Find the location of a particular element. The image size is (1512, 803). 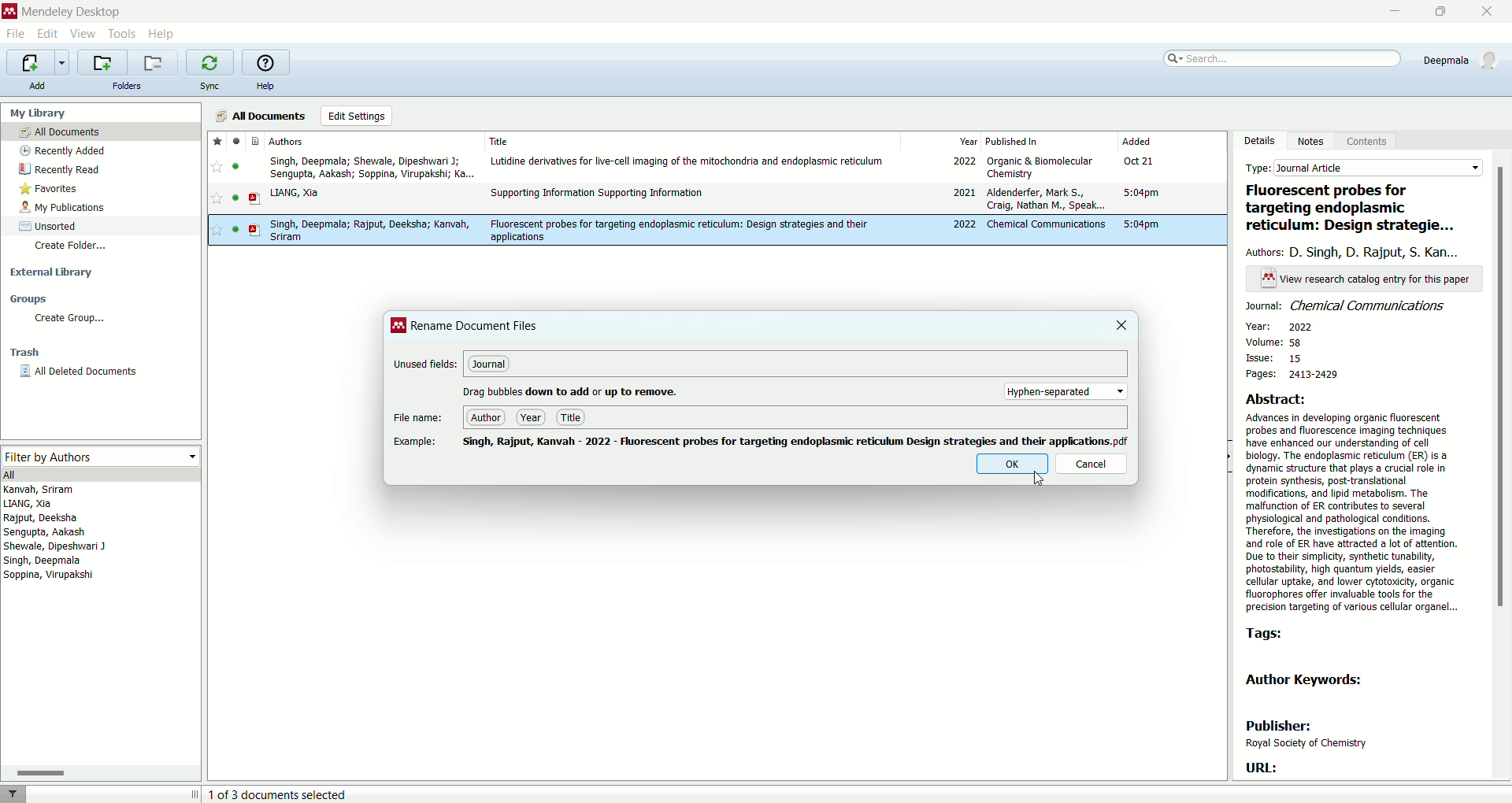

2021 is located at coordinates (961, 193).